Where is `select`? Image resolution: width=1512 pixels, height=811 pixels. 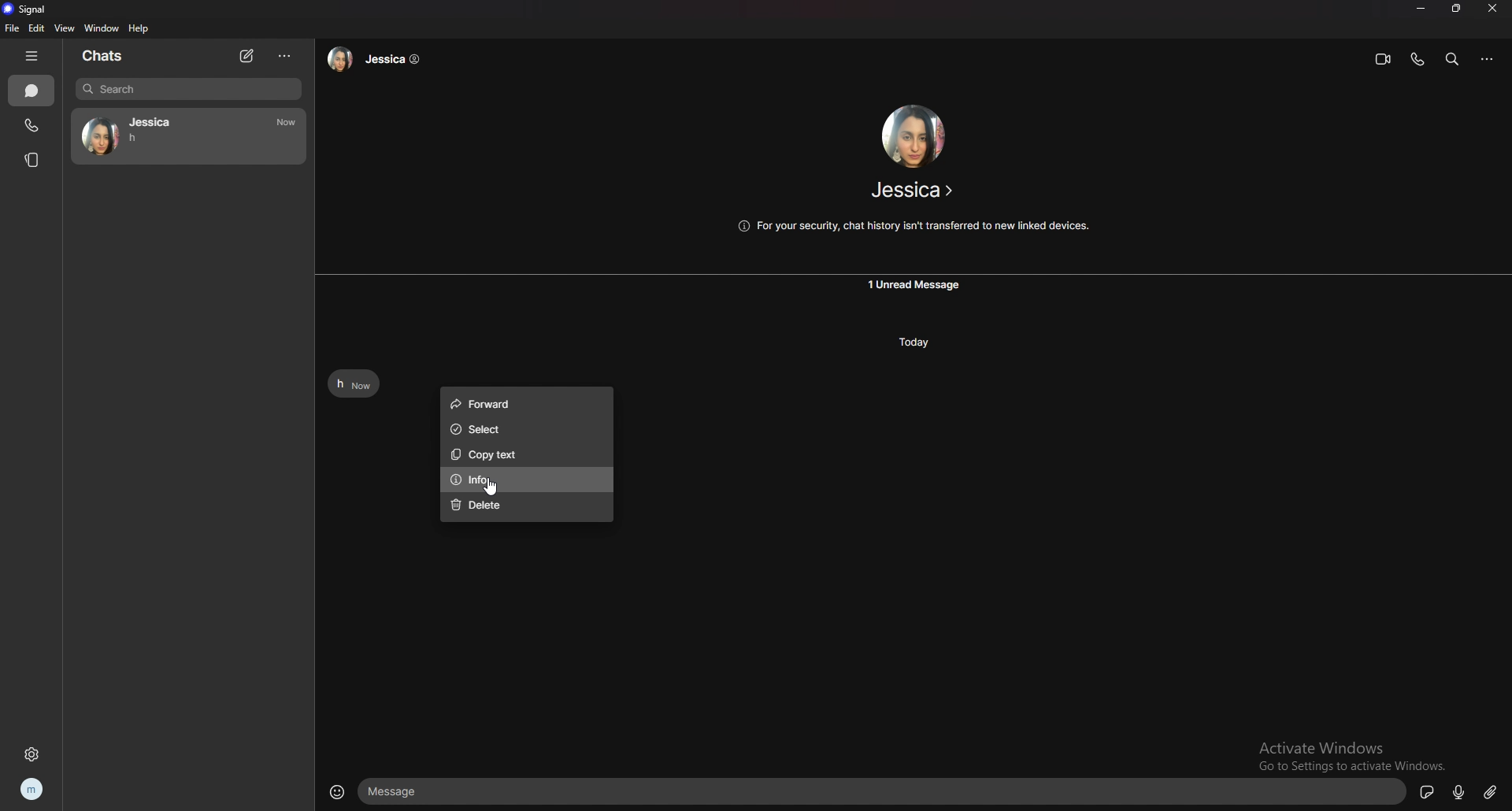 select is located at coordinates (521, 430).